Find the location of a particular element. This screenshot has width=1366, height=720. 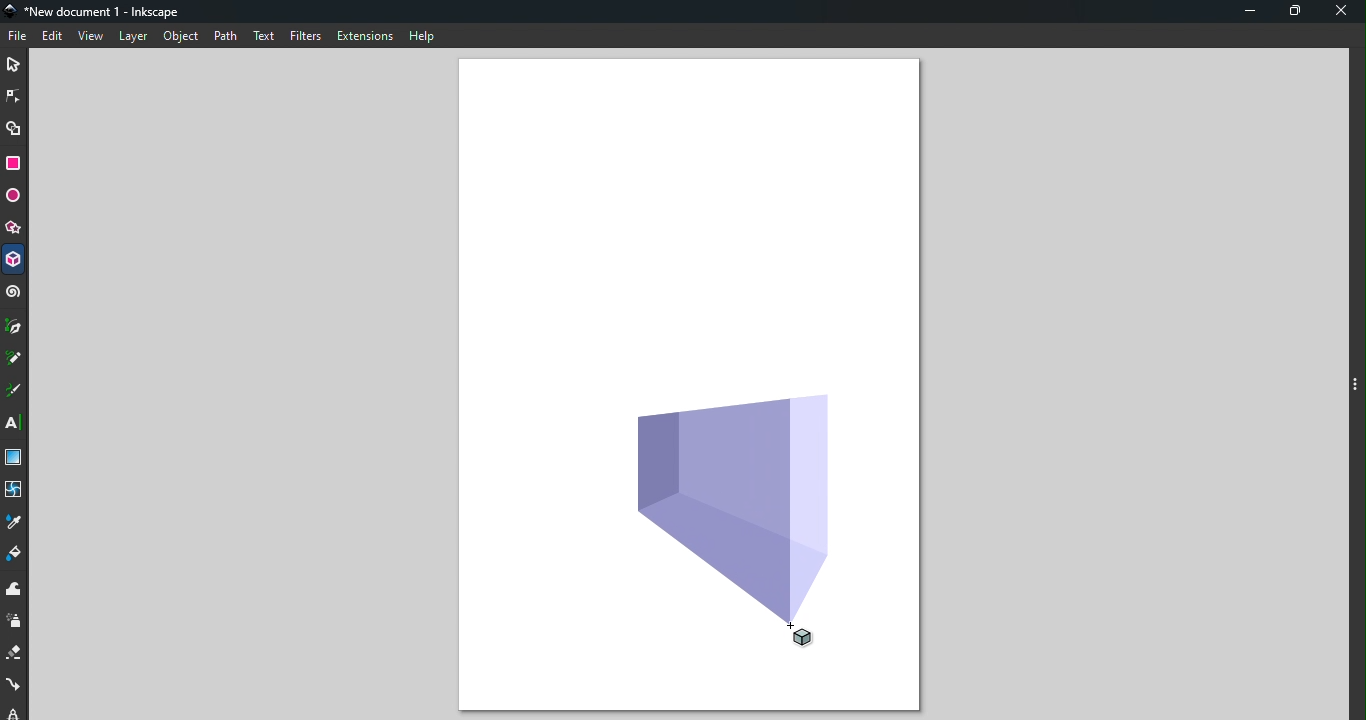

Gradient tool is located at coordinates (15, 455).